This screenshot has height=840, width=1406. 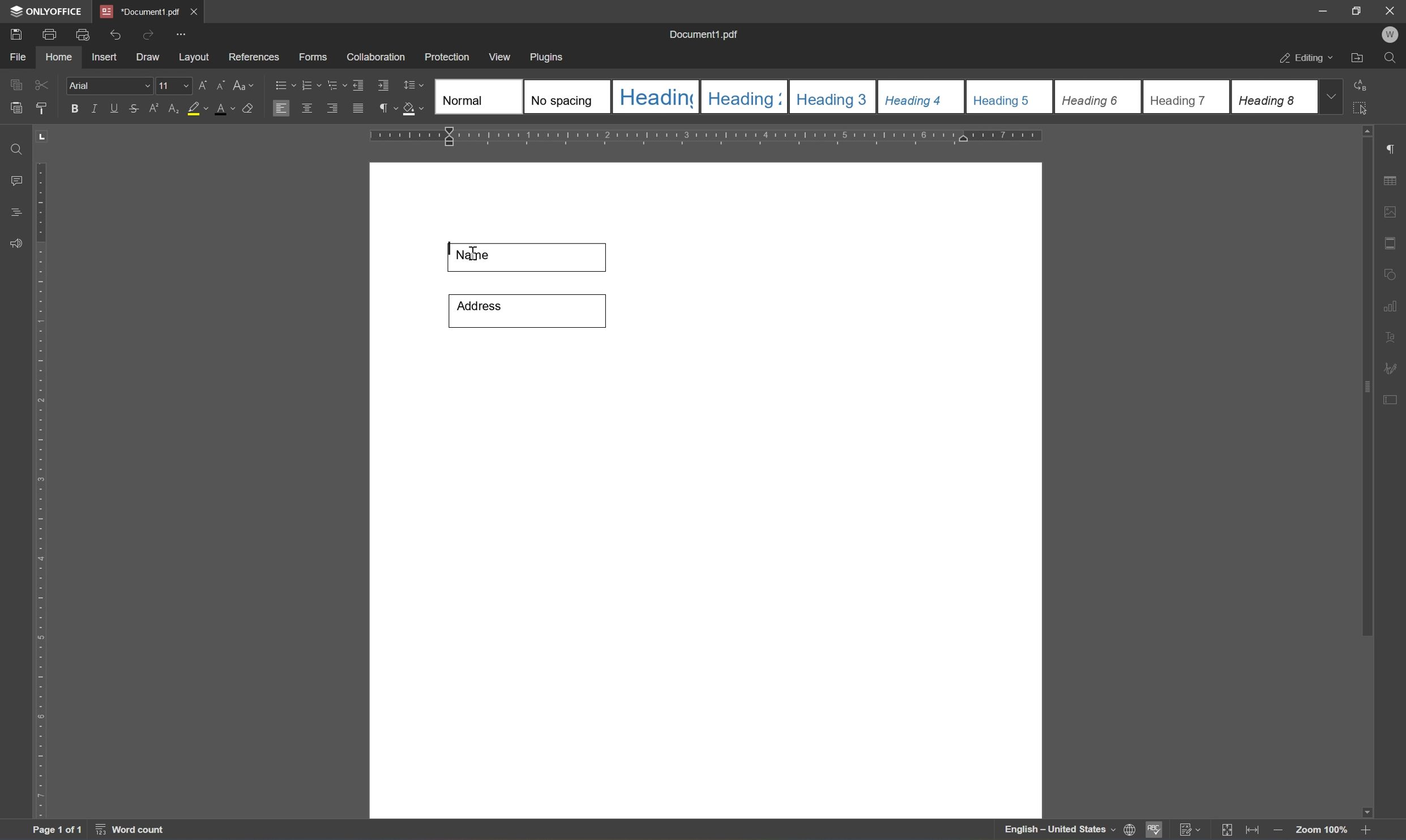 I want to click on signature settings, so click(x=1394, y=367).